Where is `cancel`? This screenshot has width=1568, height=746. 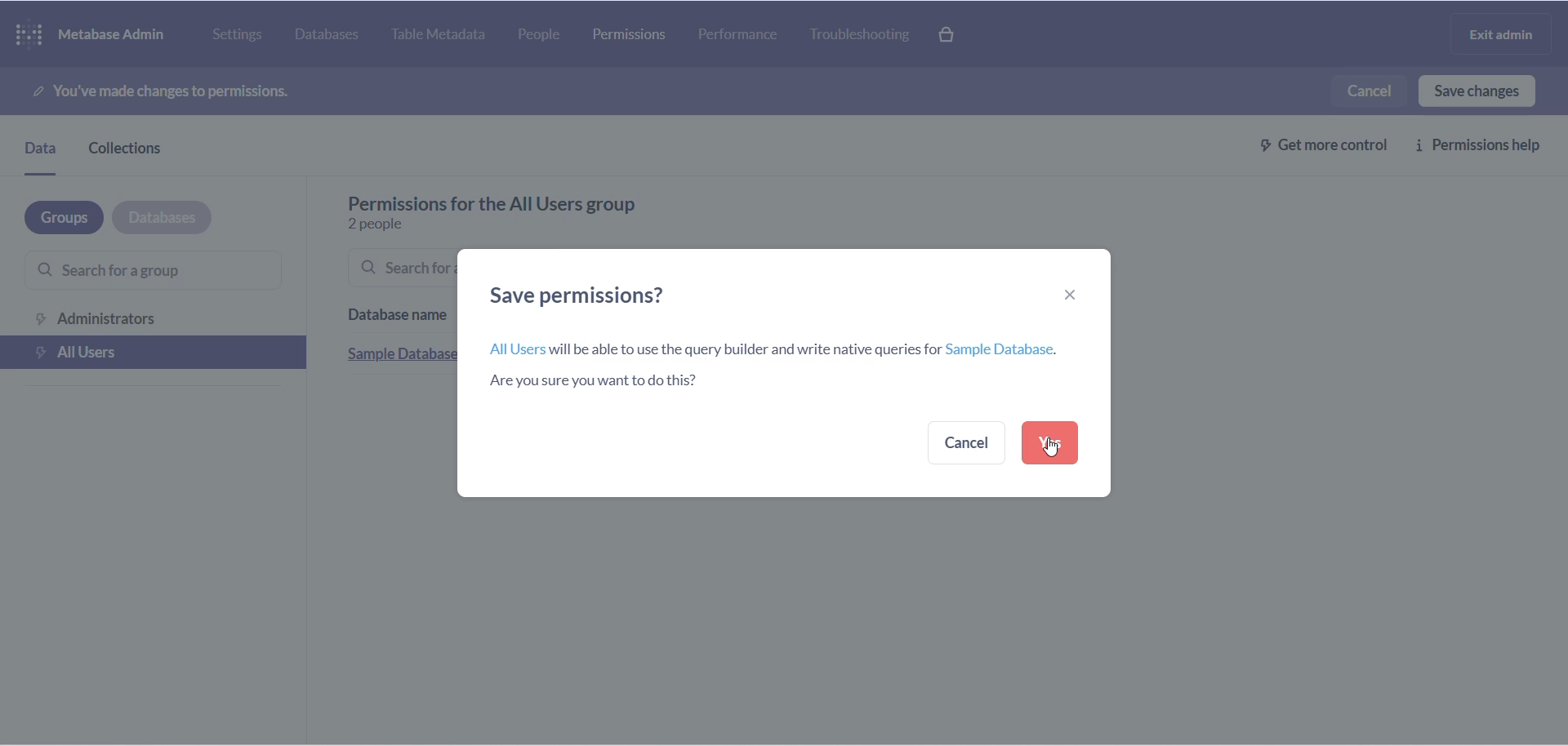 cancel is located at coordinates (969, 442).